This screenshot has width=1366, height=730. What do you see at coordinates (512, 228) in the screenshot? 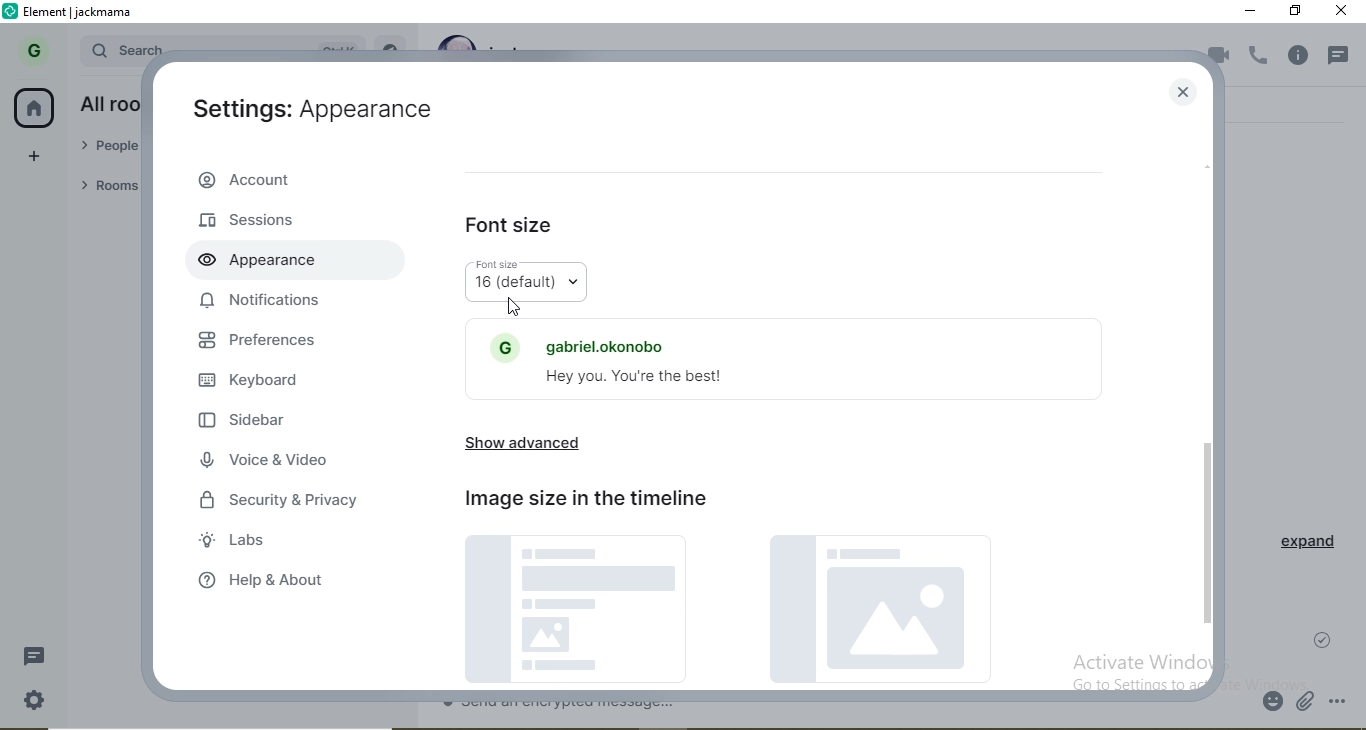
I see `font size` at bounding box center [512, 228].